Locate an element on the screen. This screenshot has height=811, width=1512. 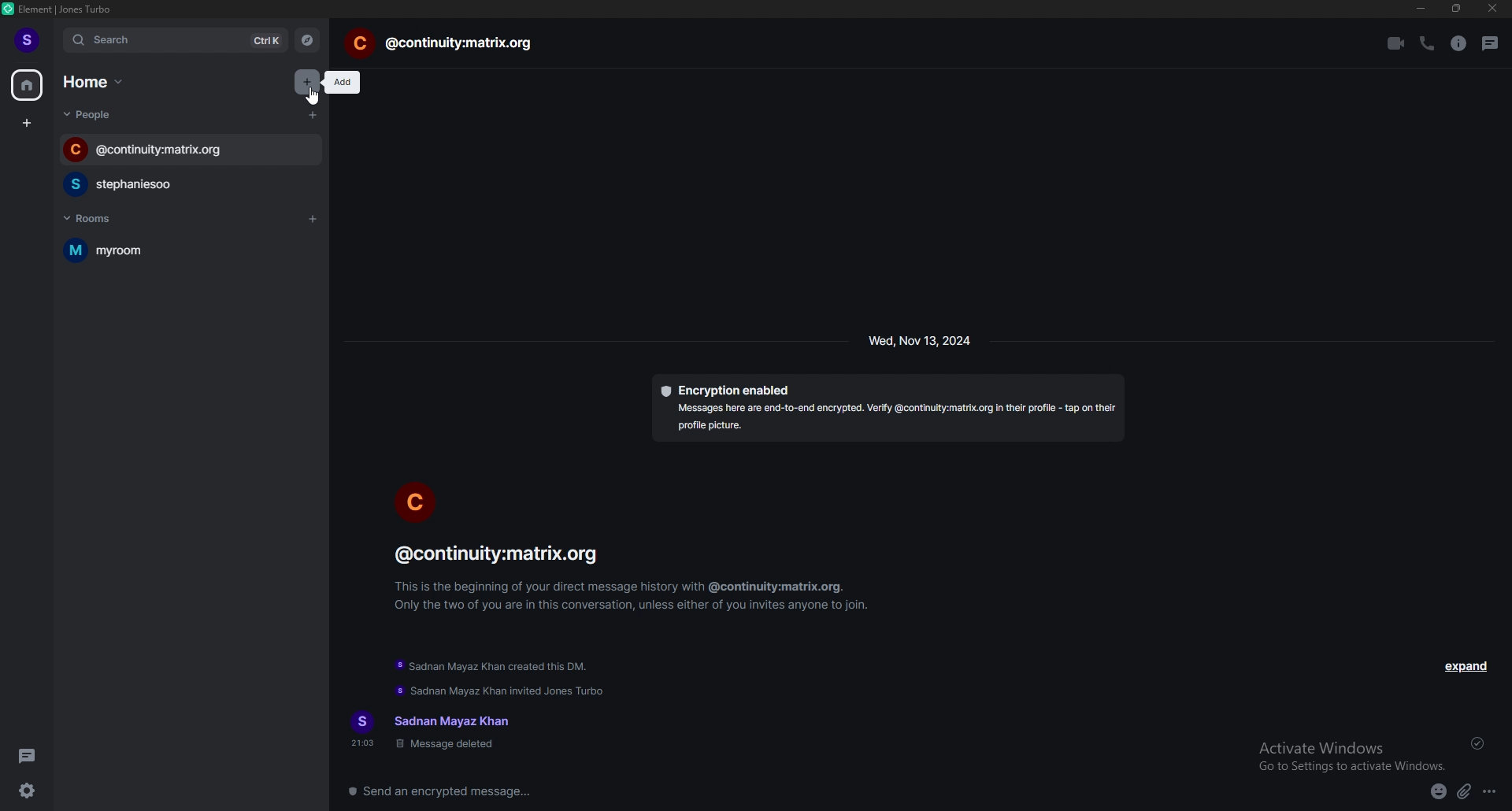
rooms is located at coordinates (107, 218).